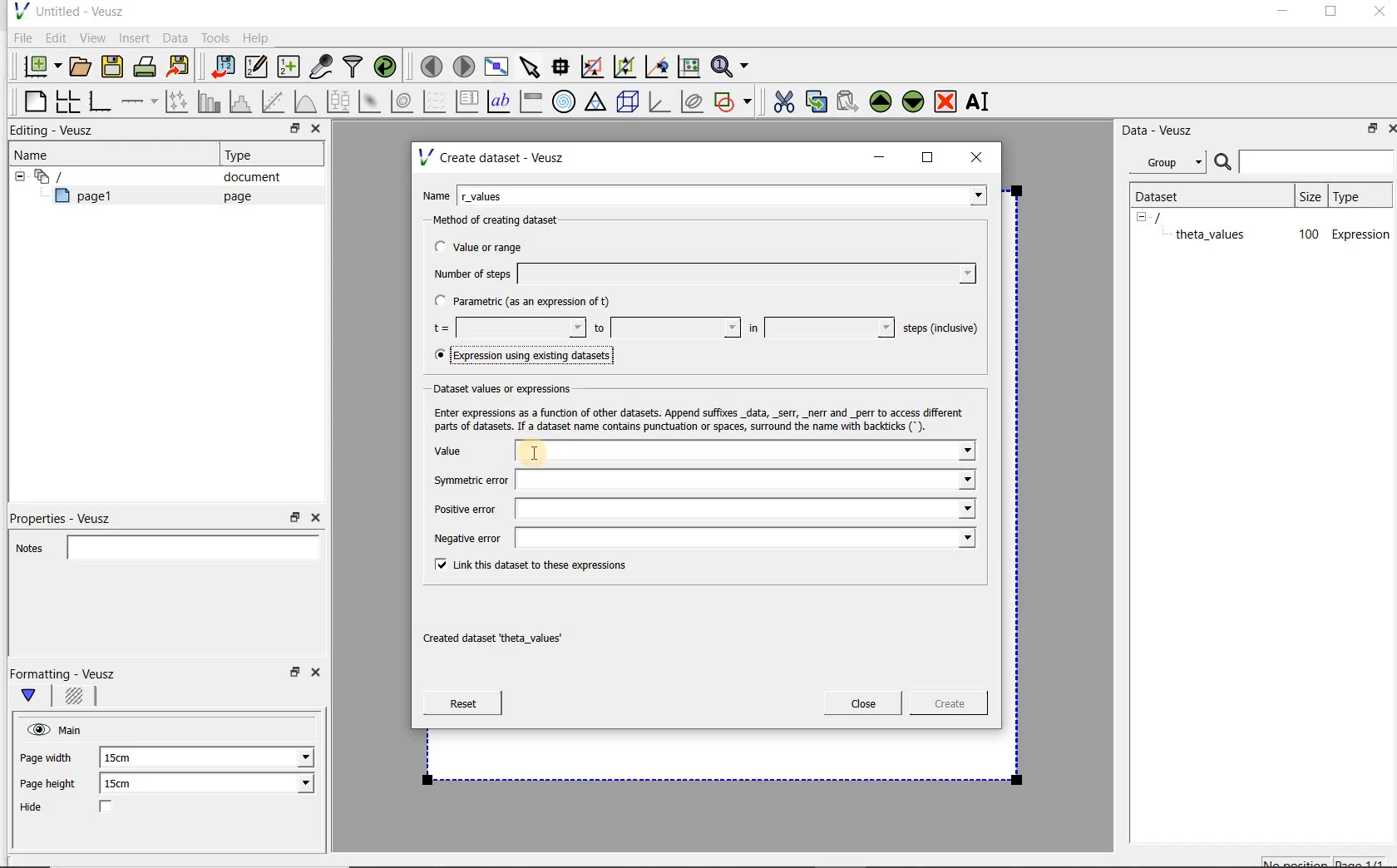 This screenshot has width=1397, height=868. What do you see at coordinates (1163, 130) in the screenshot?
I see `Data - Veusz` at bounding box center [1163, 130].